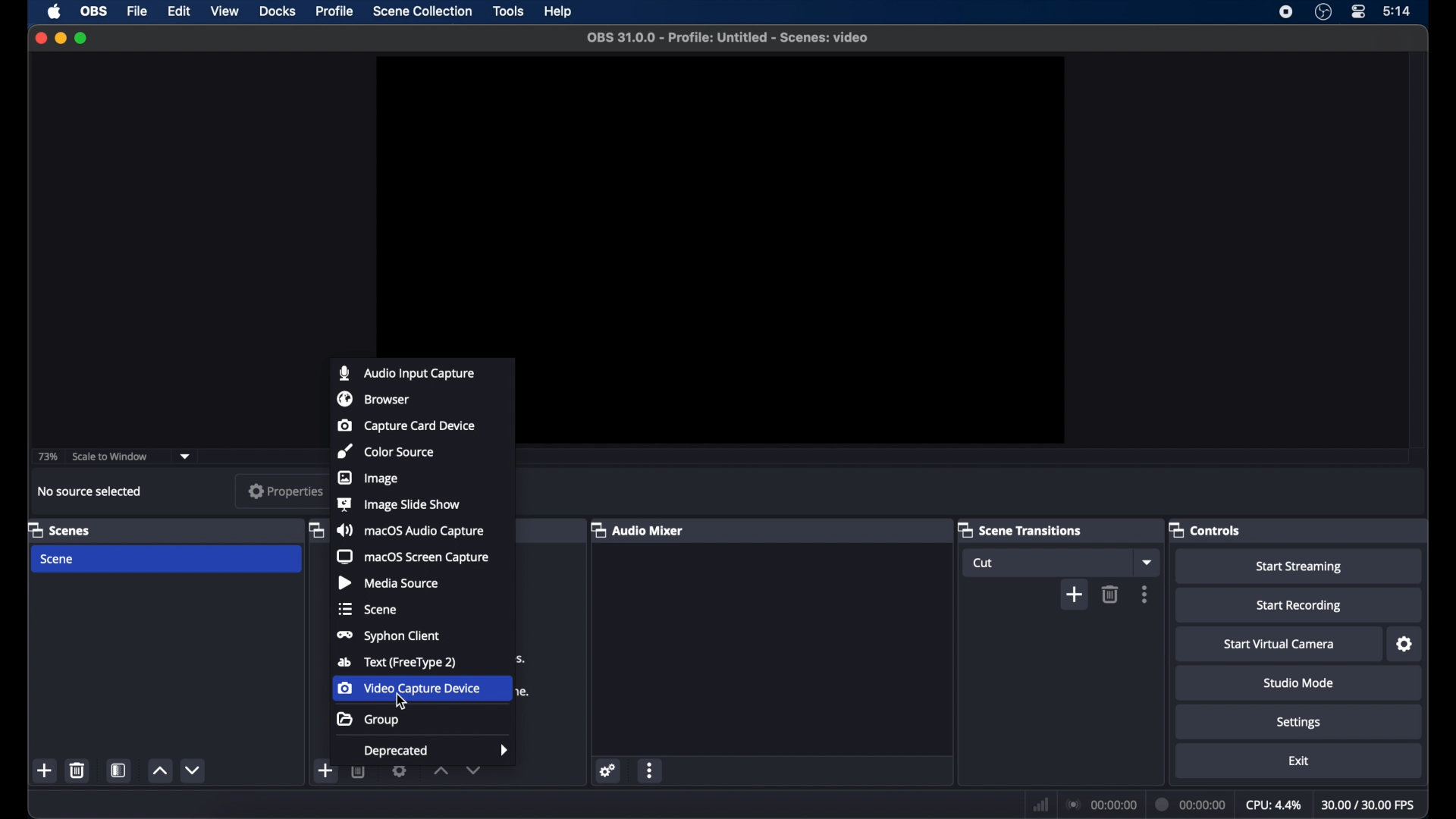 This screenshot has height=819, width=1456. I want to click on add, so click(1075, 595).